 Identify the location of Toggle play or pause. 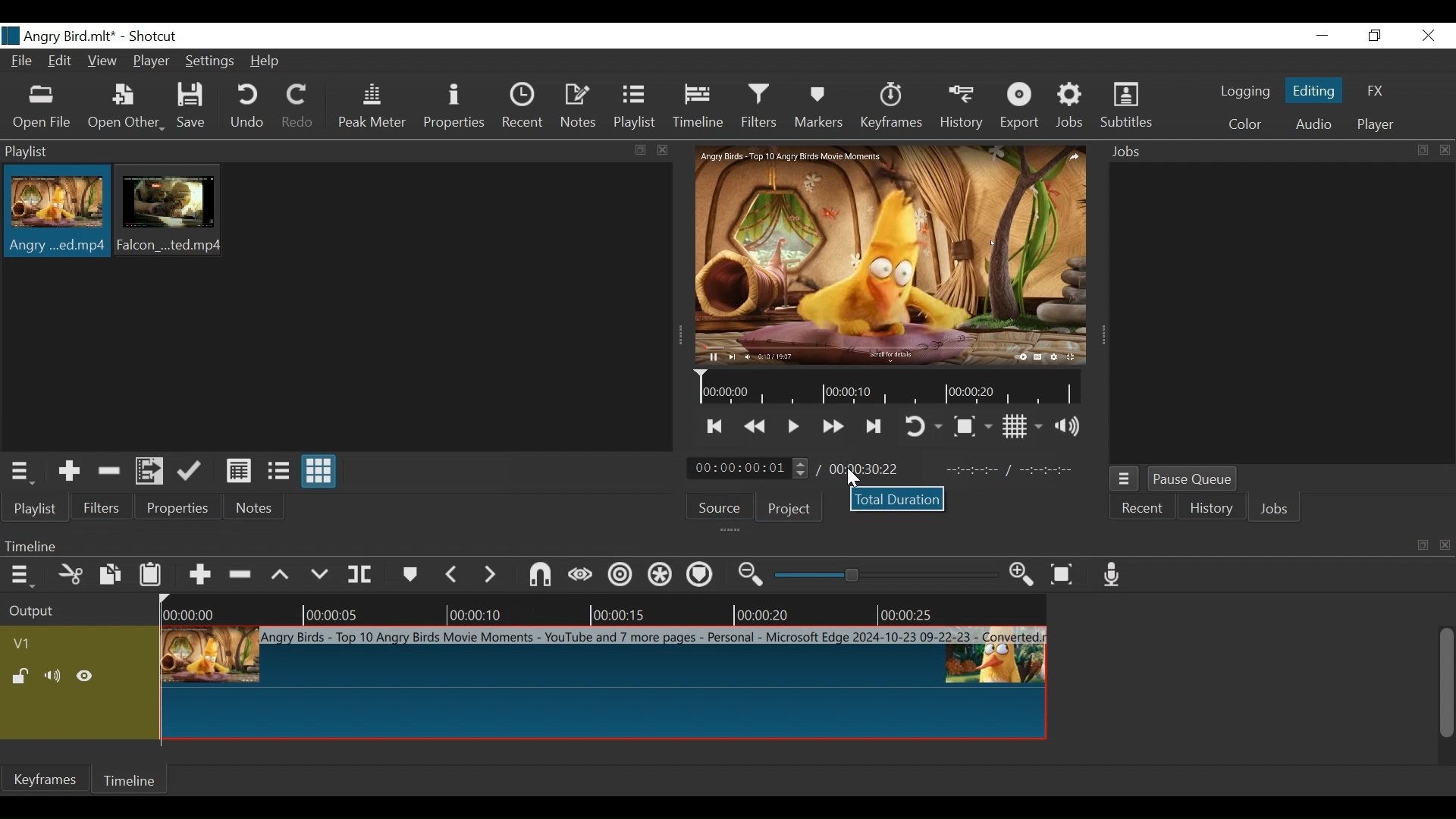
(795, 426).